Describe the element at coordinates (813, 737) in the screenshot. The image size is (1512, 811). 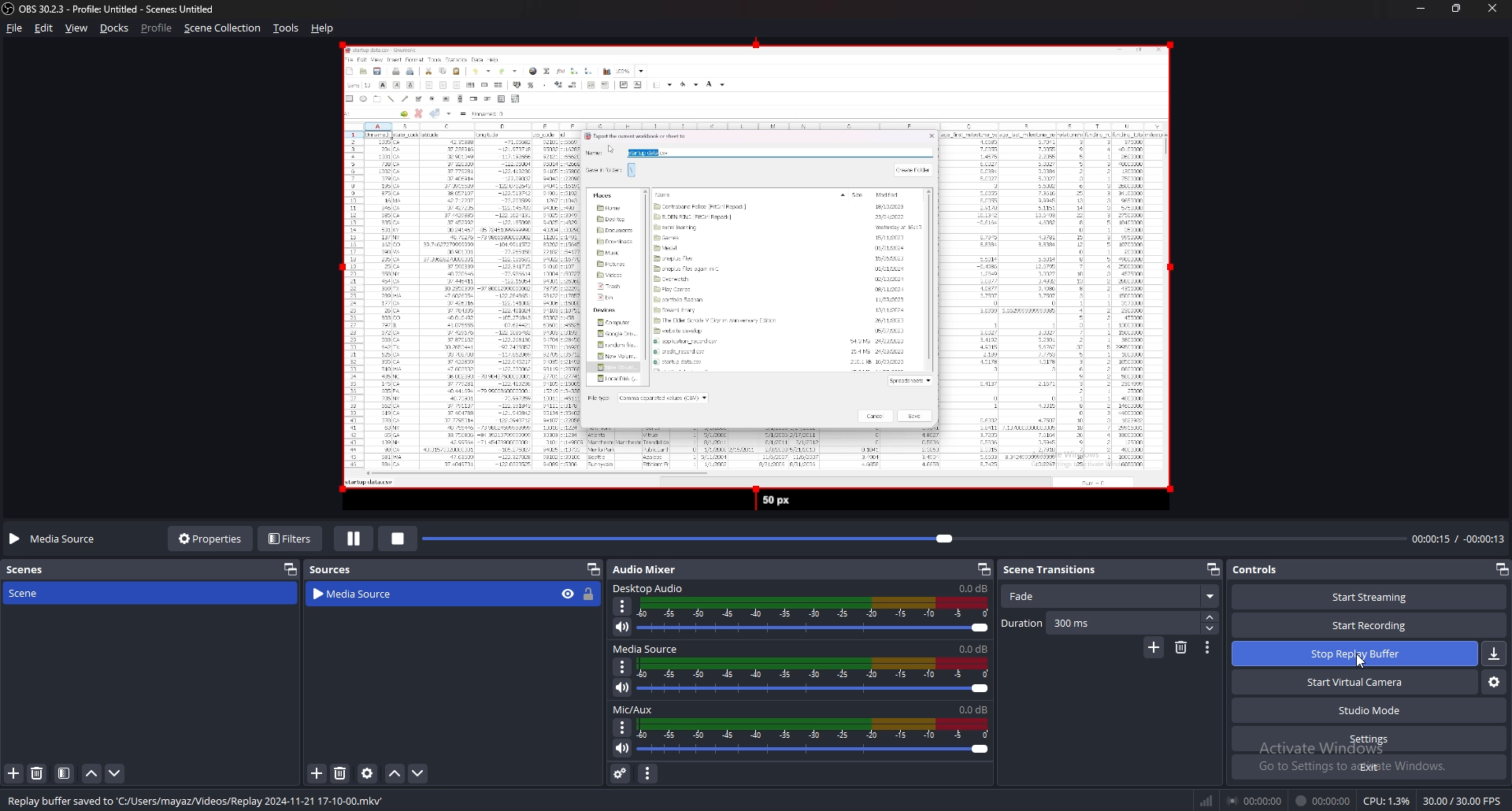
I see `mic/aux audio adjust` at that location.